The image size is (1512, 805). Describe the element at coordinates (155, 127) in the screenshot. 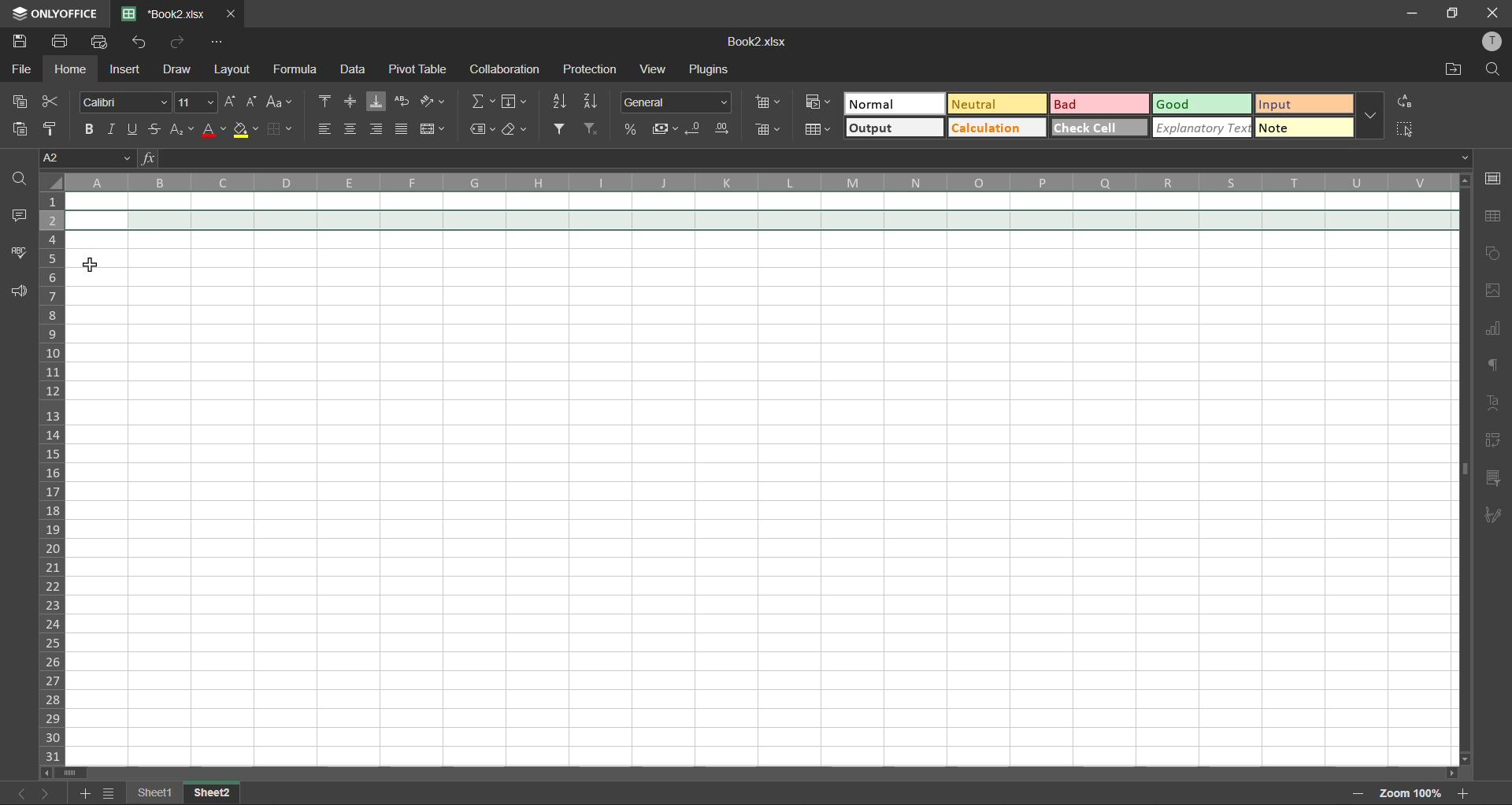

I see `strikethrough` at that location.